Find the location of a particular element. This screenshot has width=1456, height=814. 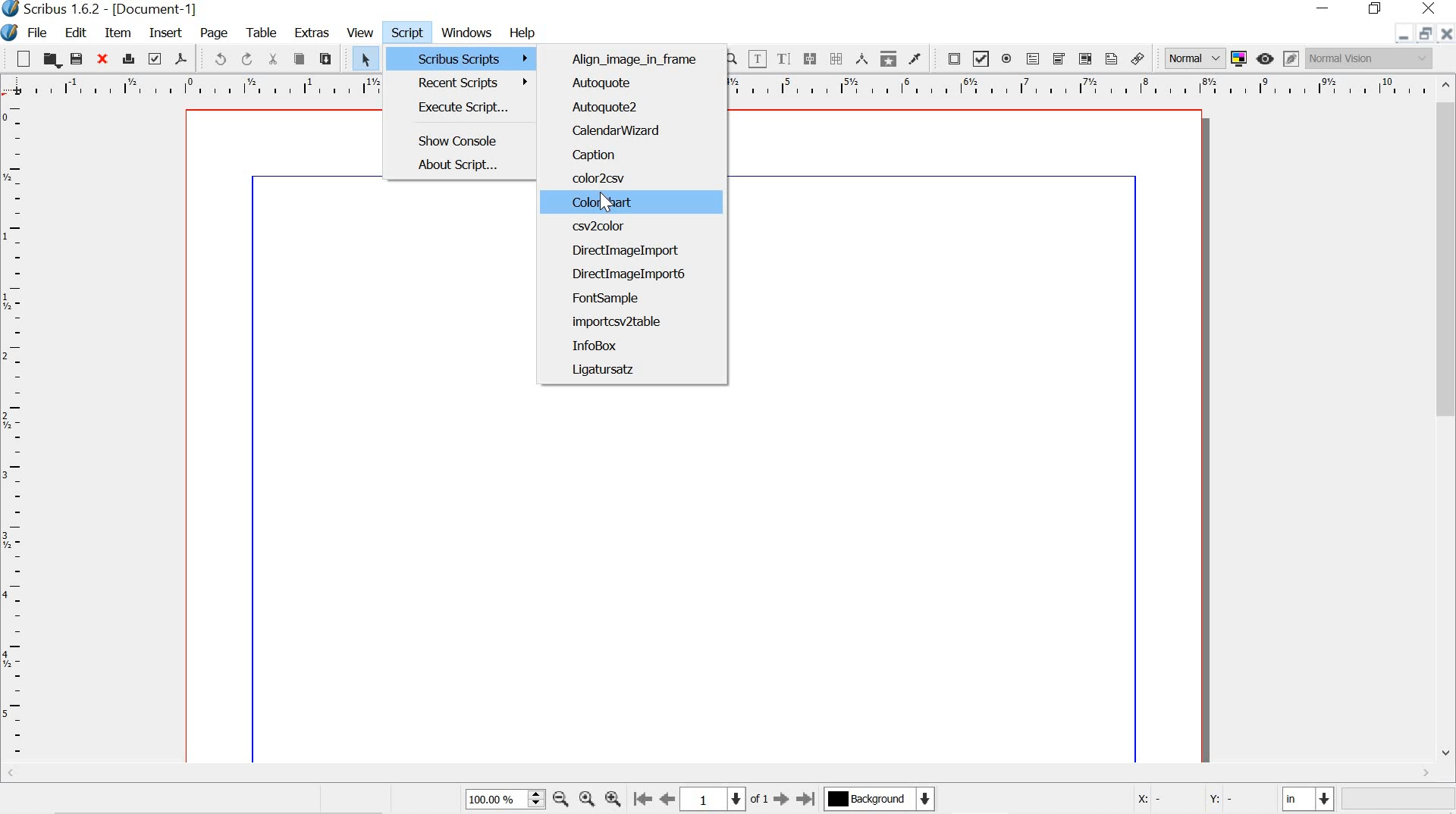

Normal is located at coordinates (1193, 58).